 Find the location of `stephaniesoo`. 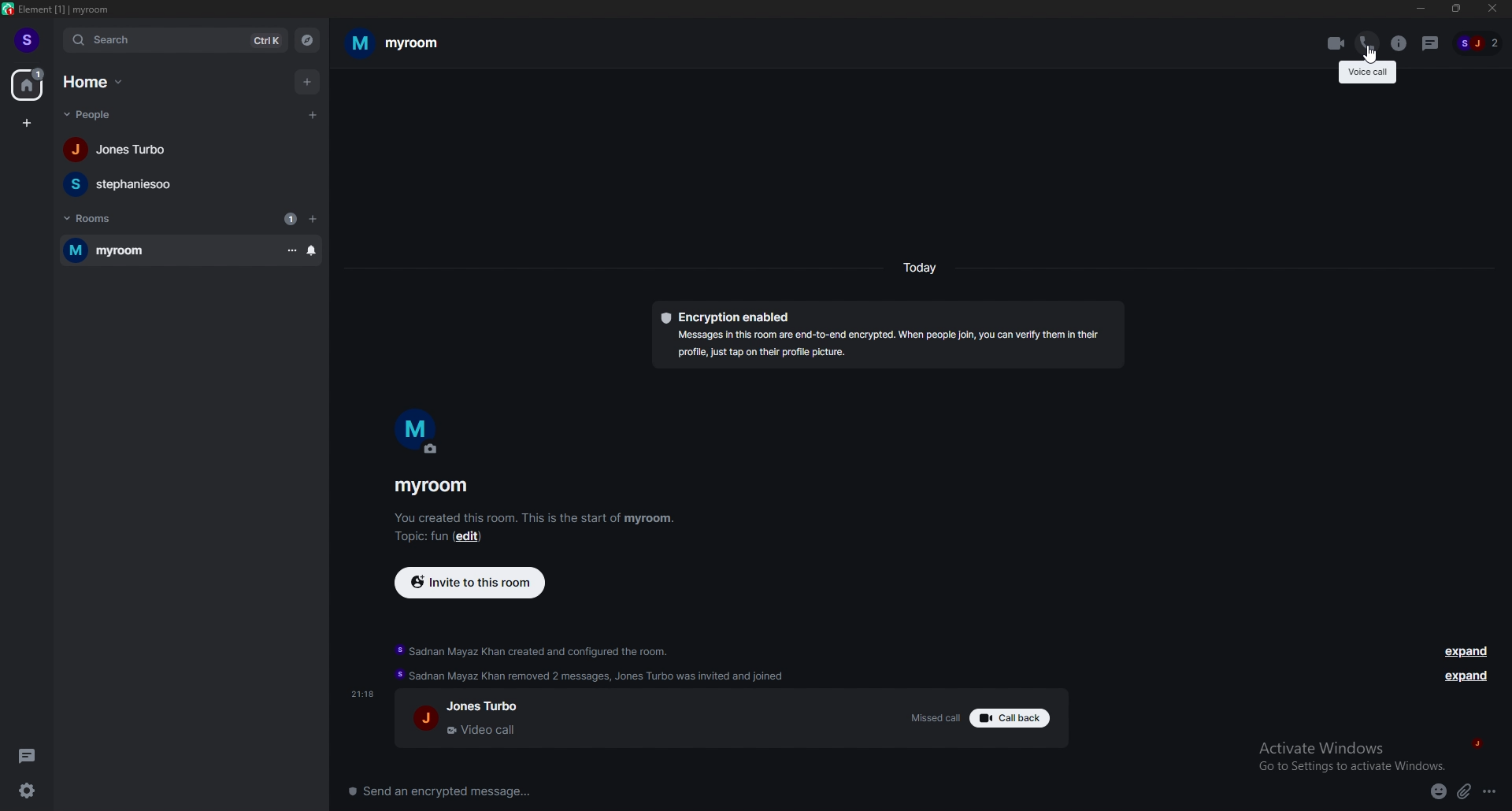

stephaniesoo is located at coordinates (190, 183).